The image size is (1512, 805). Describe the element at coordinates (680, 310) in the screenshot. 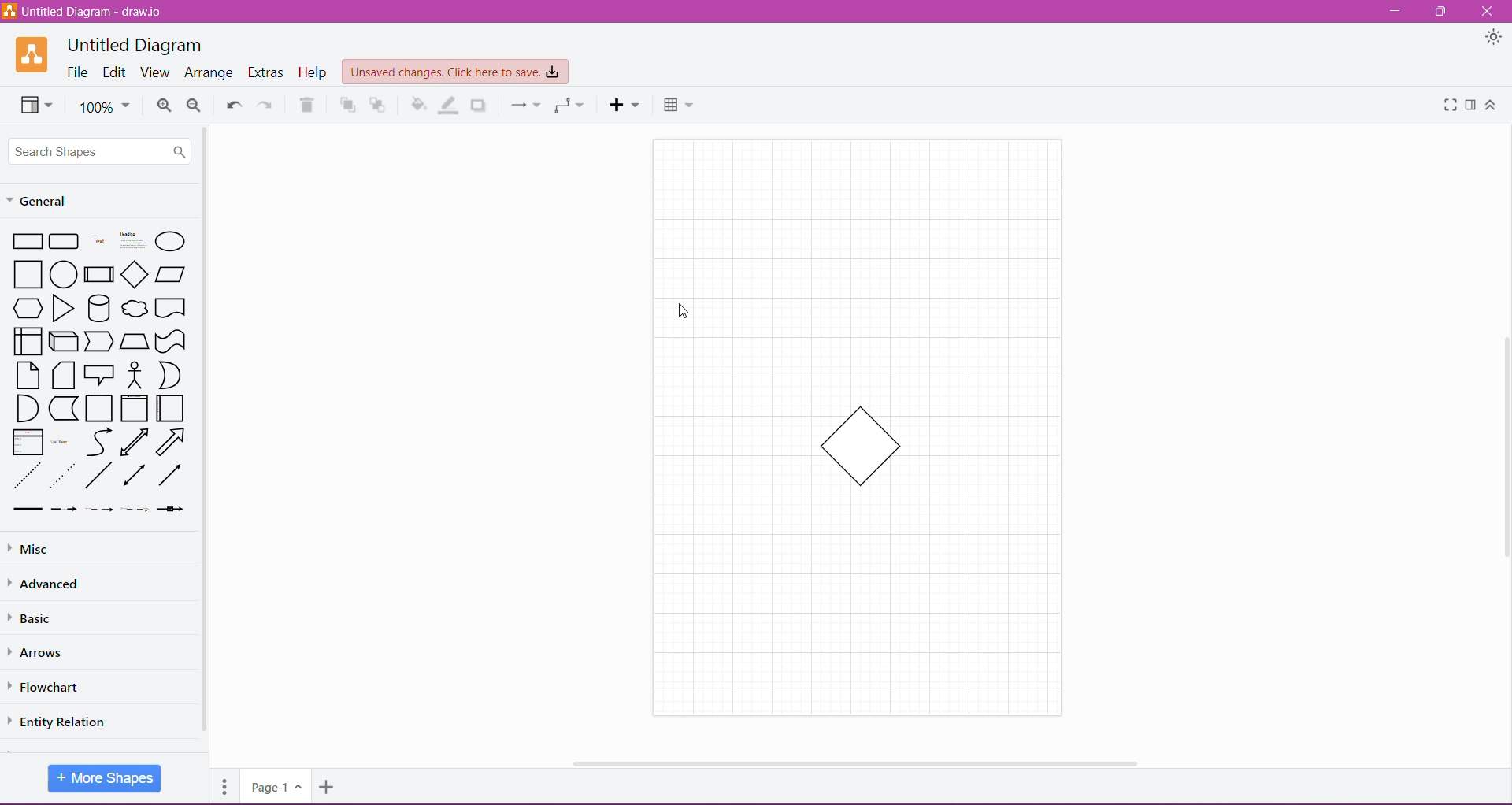

I see `Cursor` at that location.